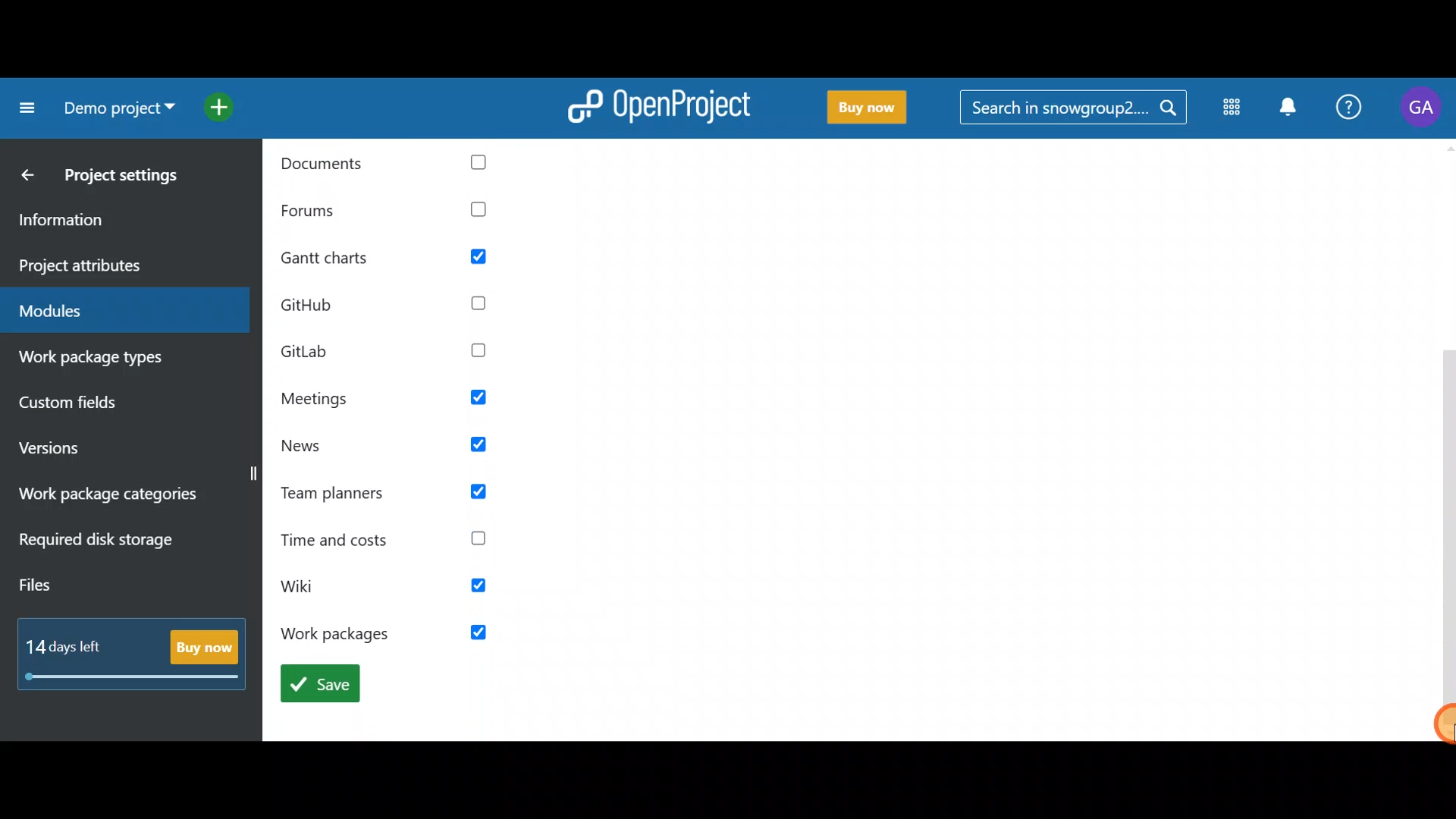 The image size is (1456, 819). I want to click on Notification centre, so click(1291, 111).